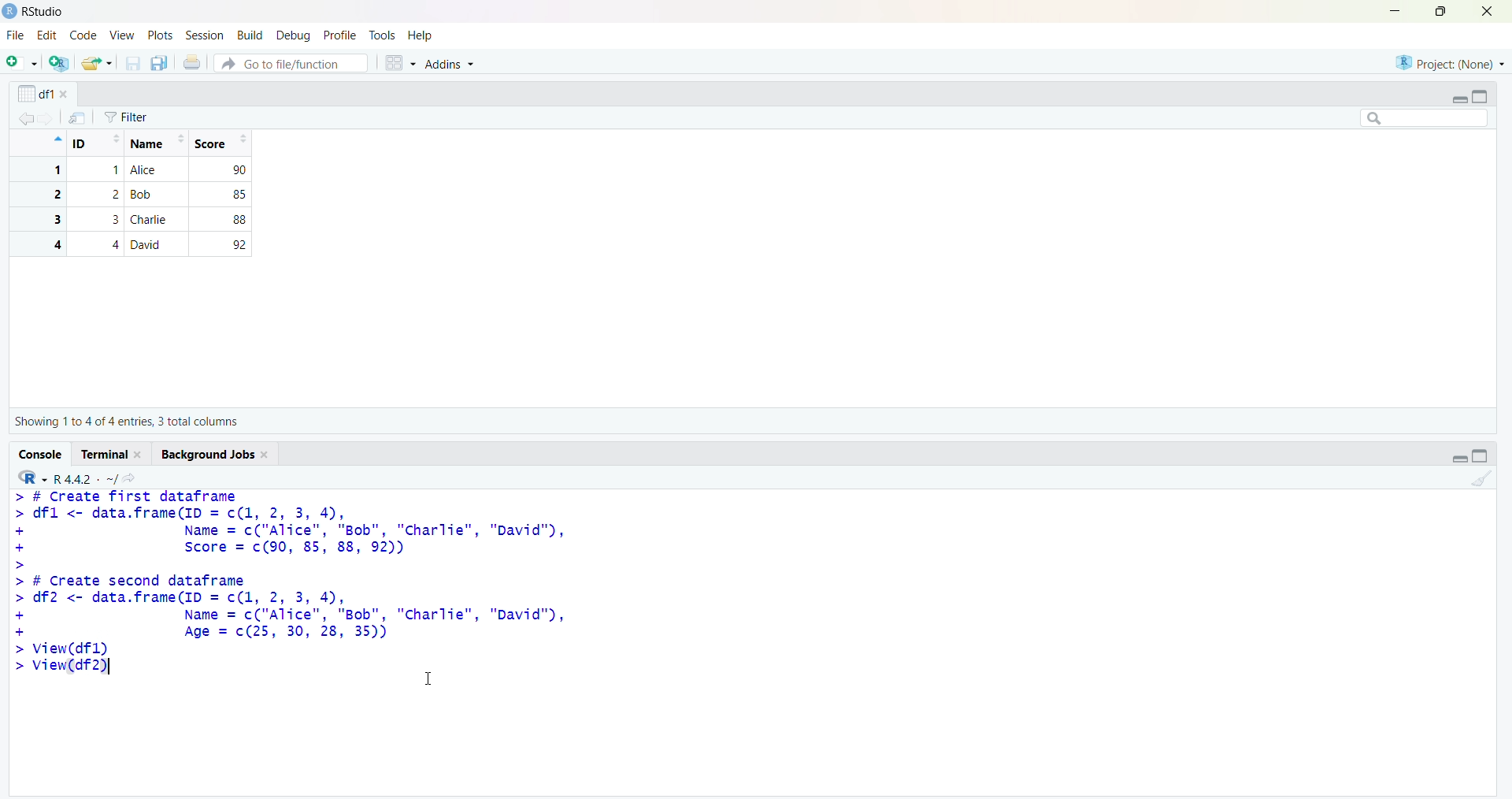 The image size is (1512, 799). I want to click on 4 4 David 92, so click(135, 244).